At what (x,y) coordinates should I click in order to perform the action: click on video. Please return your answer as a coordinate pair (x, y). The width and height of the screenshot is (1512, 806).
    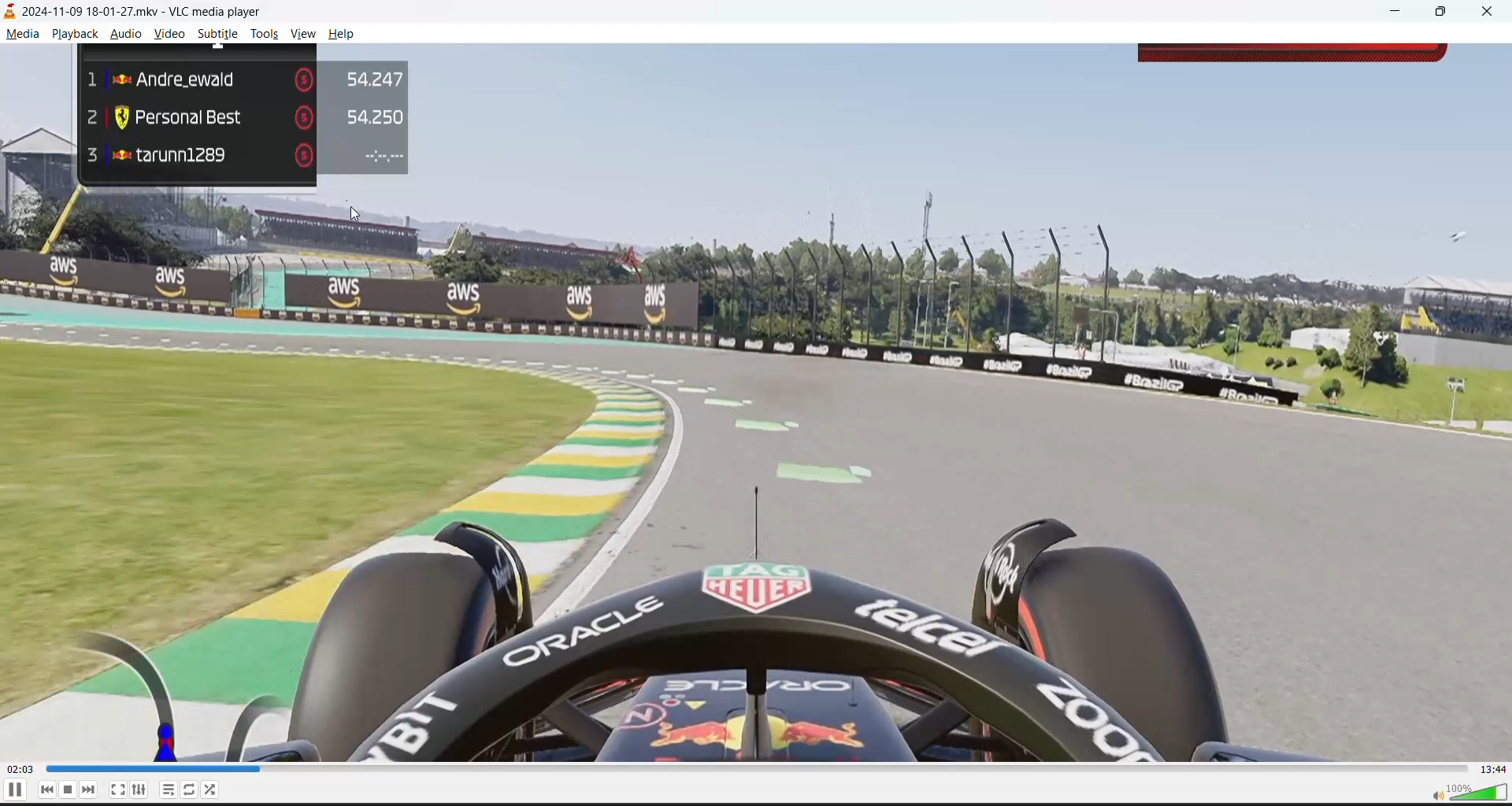
    Looking at the image, I should click on (756, 403).